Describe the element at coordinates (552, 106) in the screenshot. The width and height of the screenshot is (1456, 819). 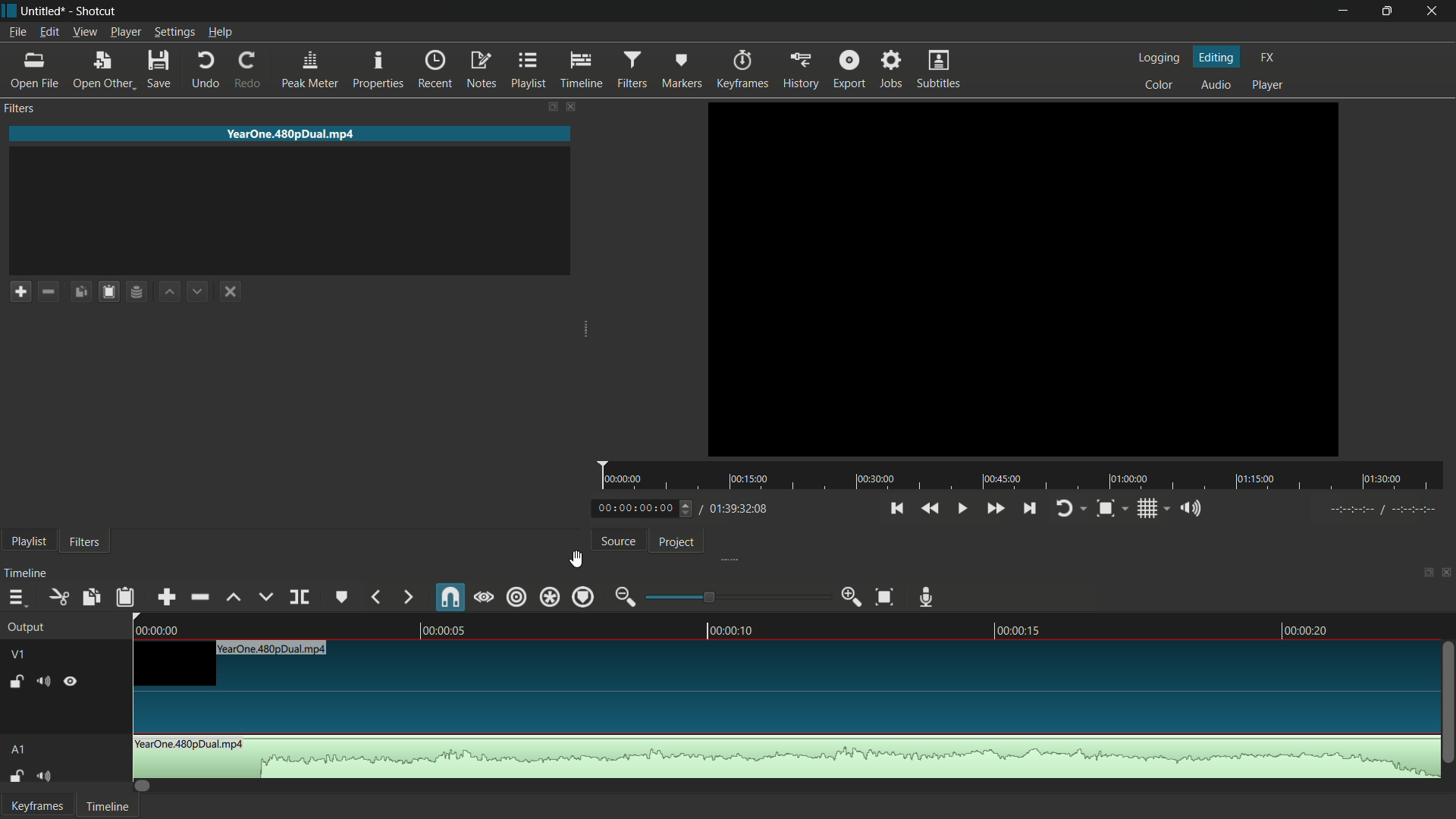
I see `change layout` at that location.